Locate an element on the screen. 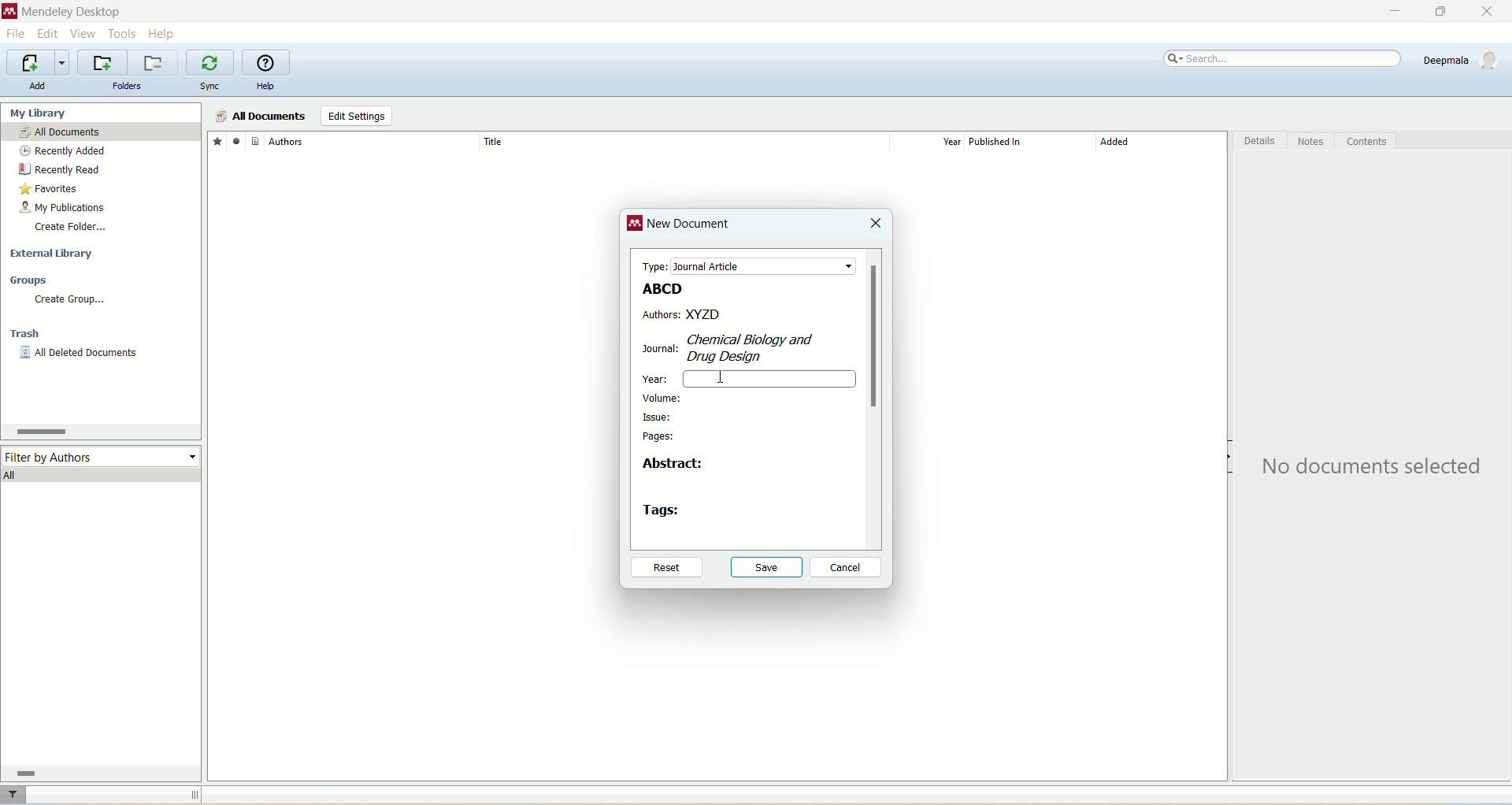 The width and height of the screenshot is (1512, 805). search is located at coordinates (1284, 59).